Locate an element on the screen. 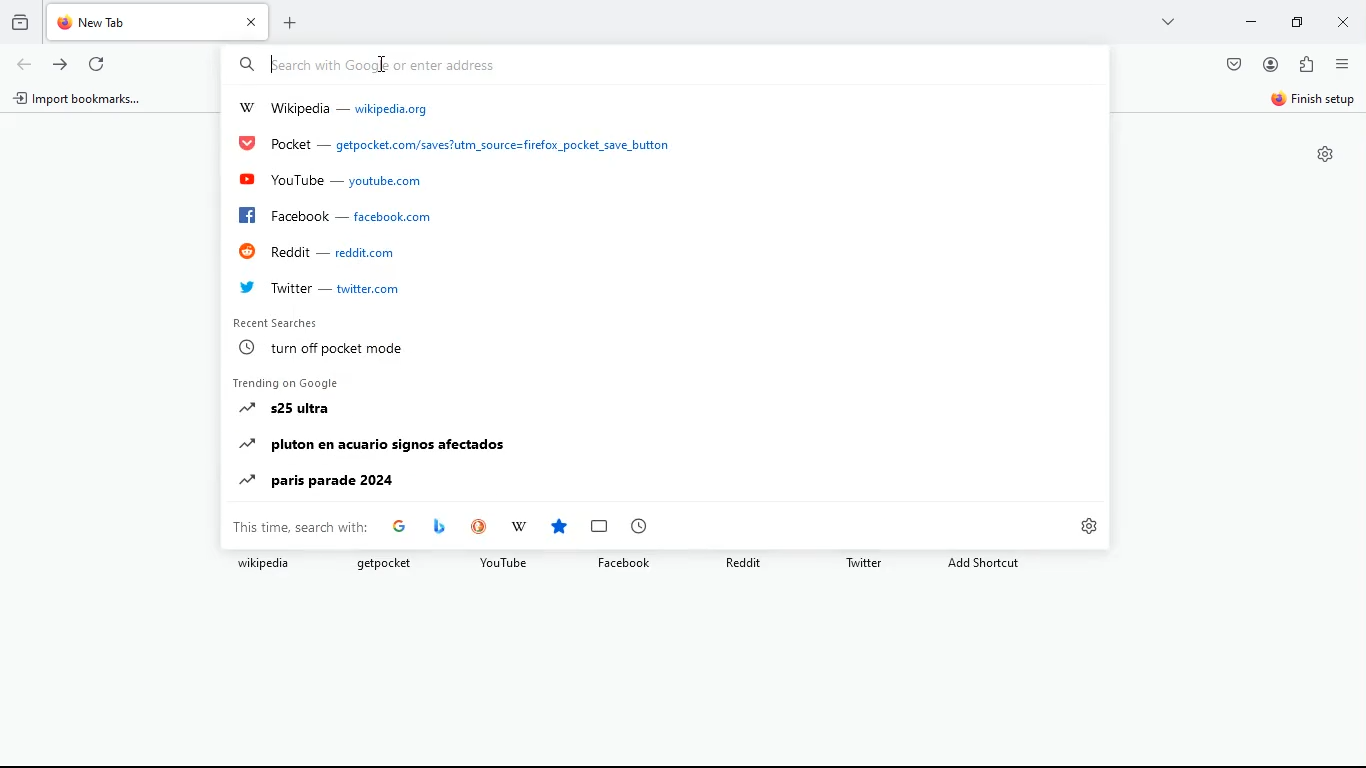 This screenshot has width=1366, height=768. YouTube is located at coordinates (503, 562).